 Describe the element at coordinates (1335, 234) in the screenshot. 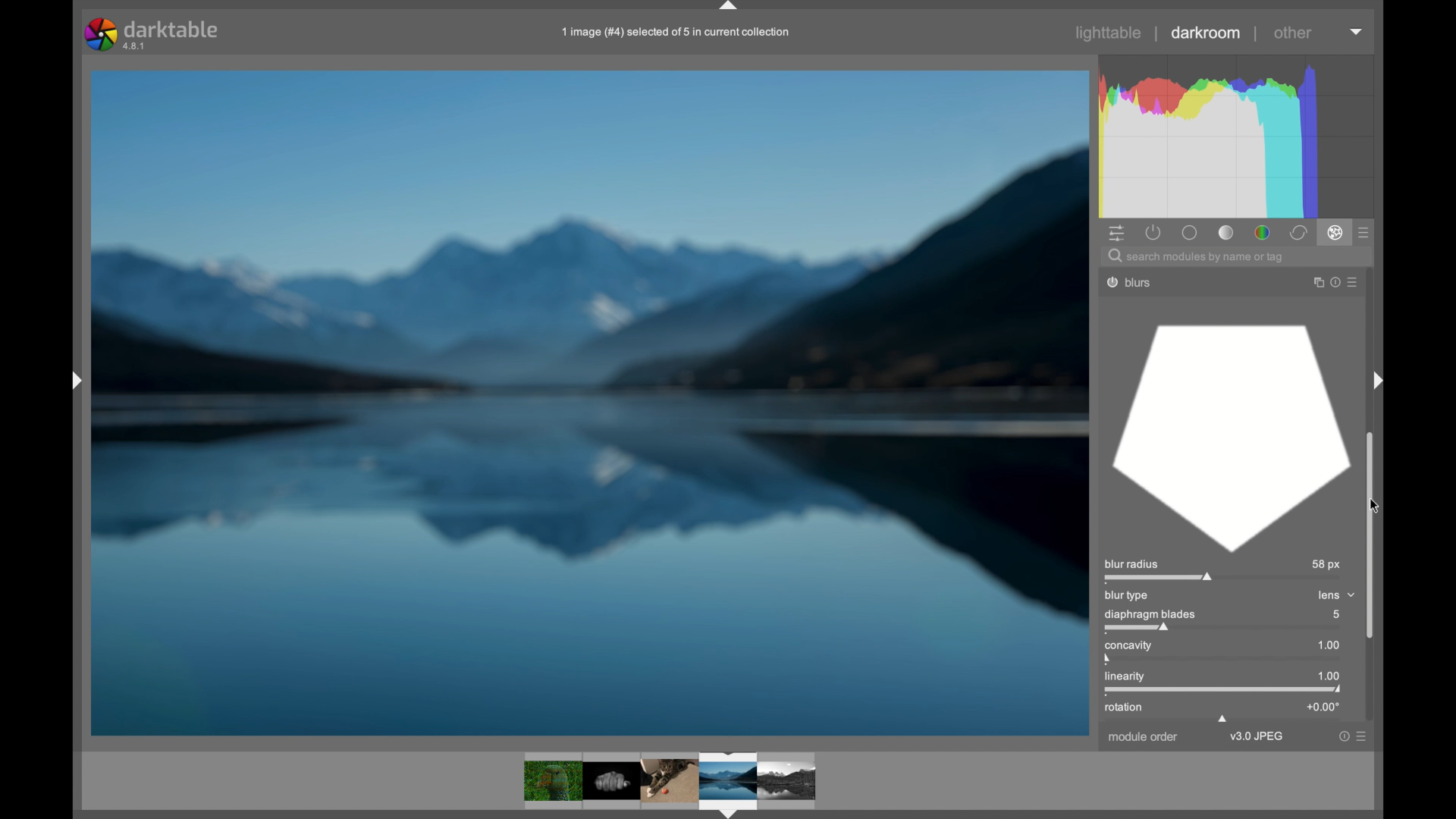

I see `effect` at that location.